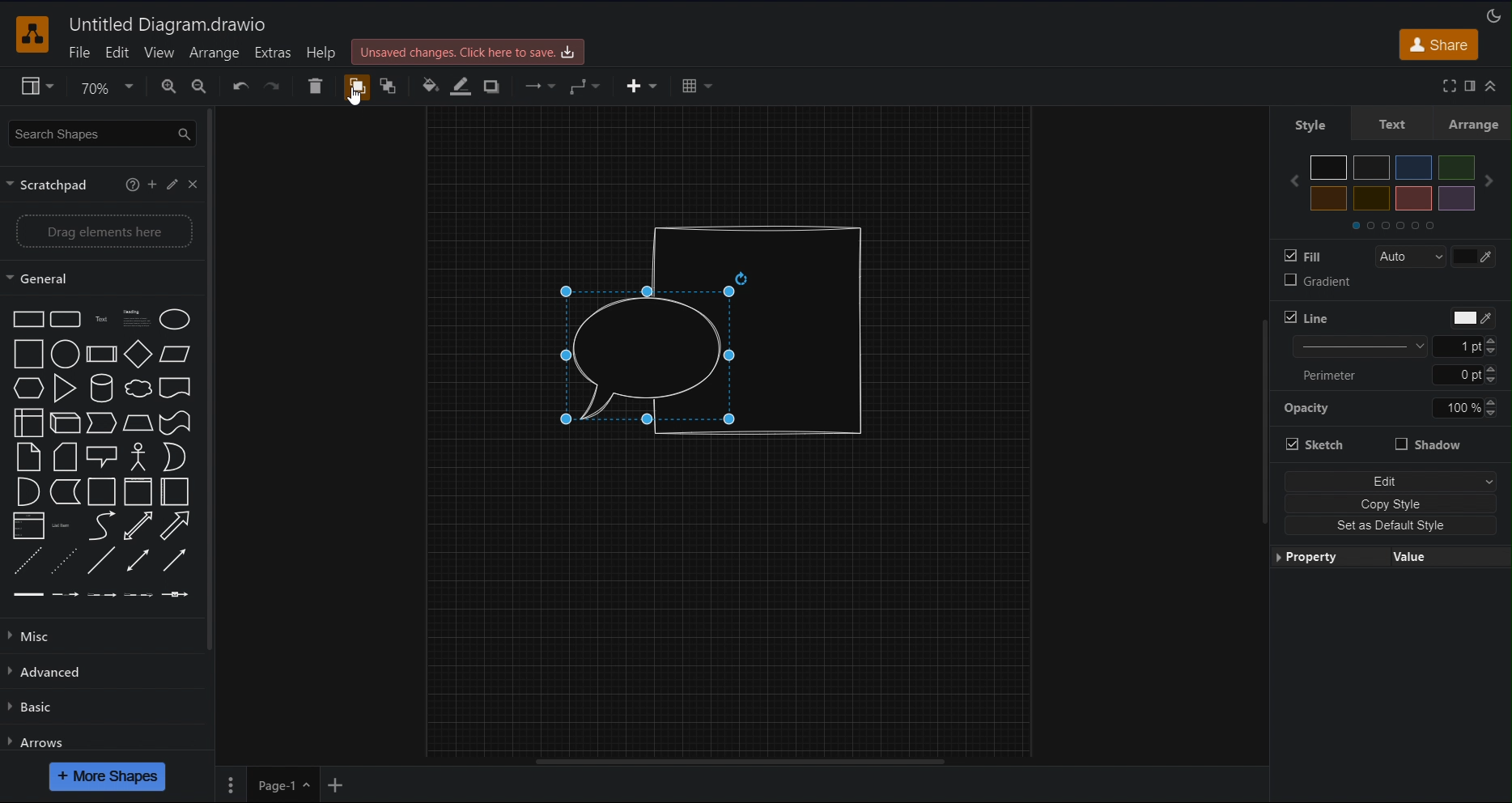 The image size is (1512, 803). I want to click on Rotate, so click(741, 278).